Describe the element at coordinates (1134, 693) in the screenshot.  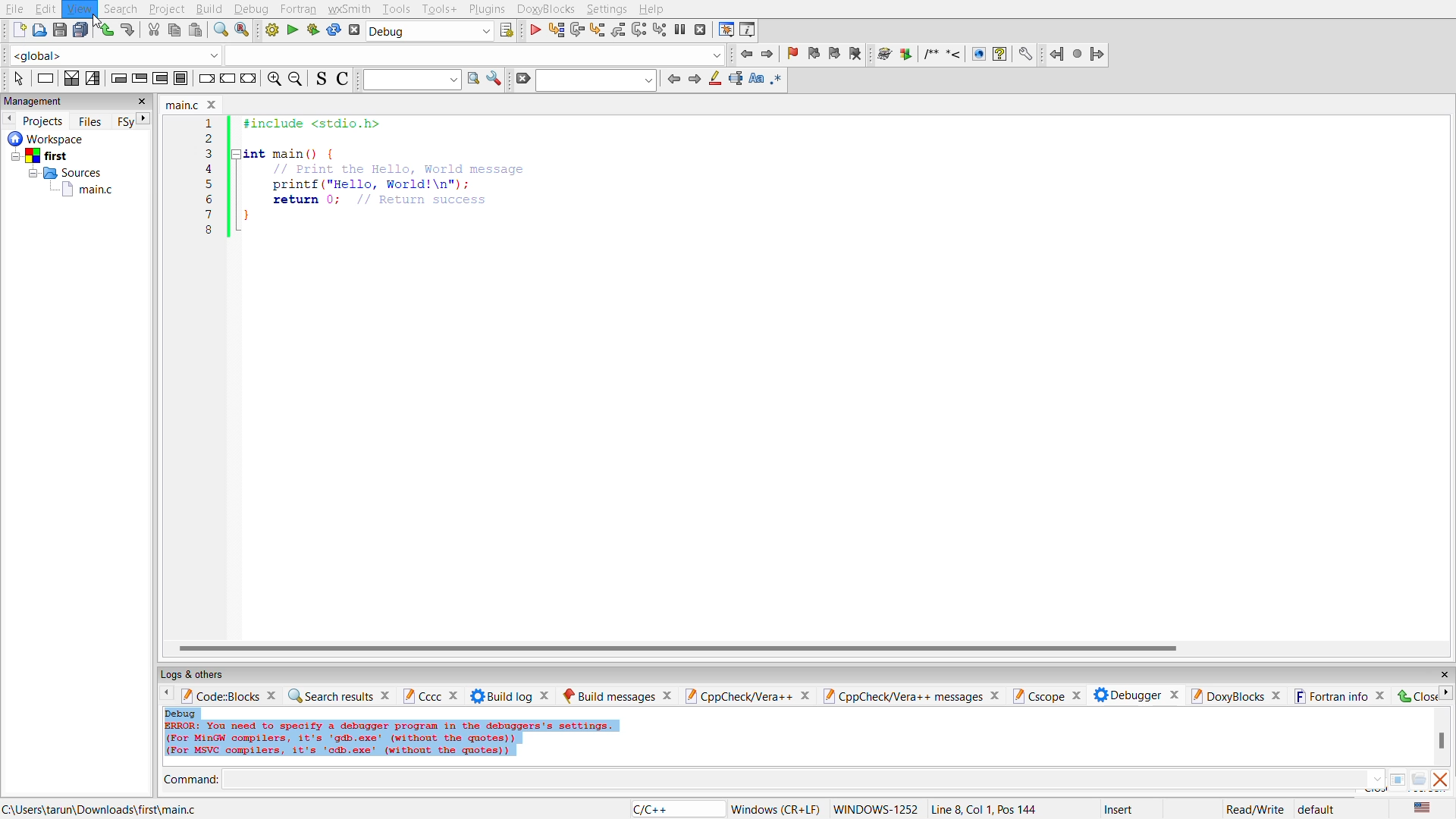
I see `debugger` at that location.